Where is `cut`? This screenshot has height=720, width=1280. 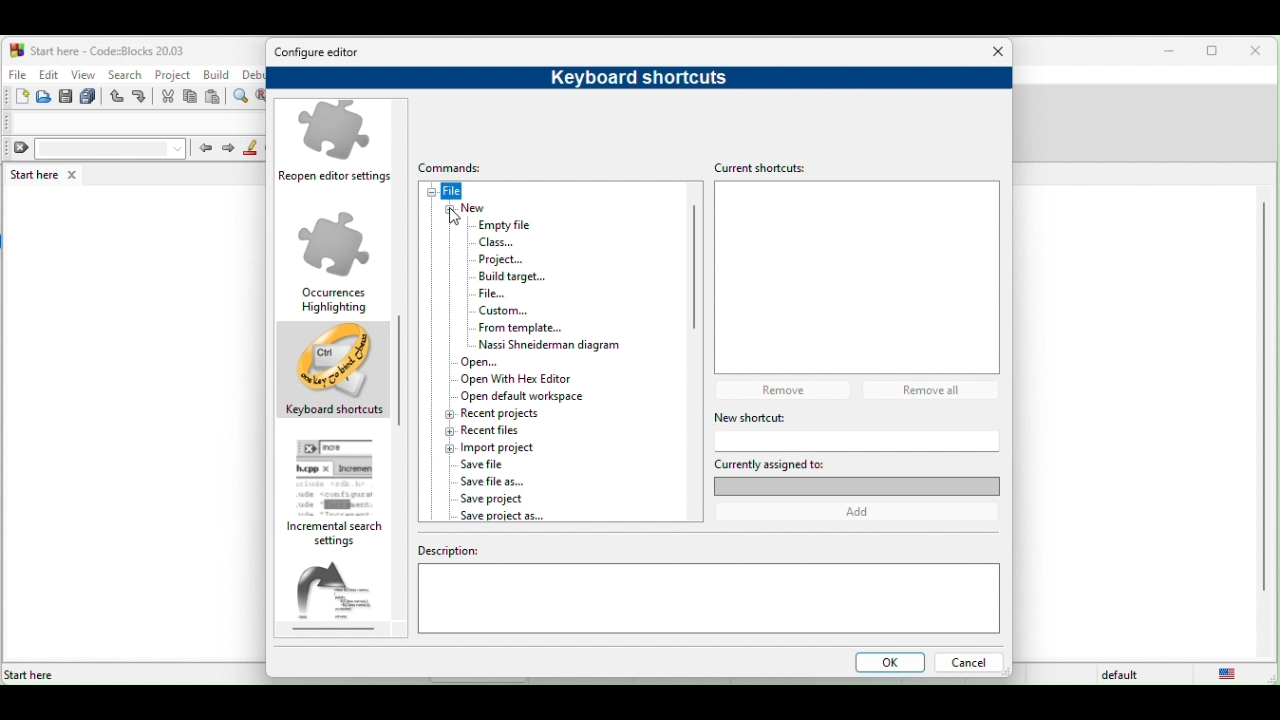 cut is located at coordinates (168, 97).